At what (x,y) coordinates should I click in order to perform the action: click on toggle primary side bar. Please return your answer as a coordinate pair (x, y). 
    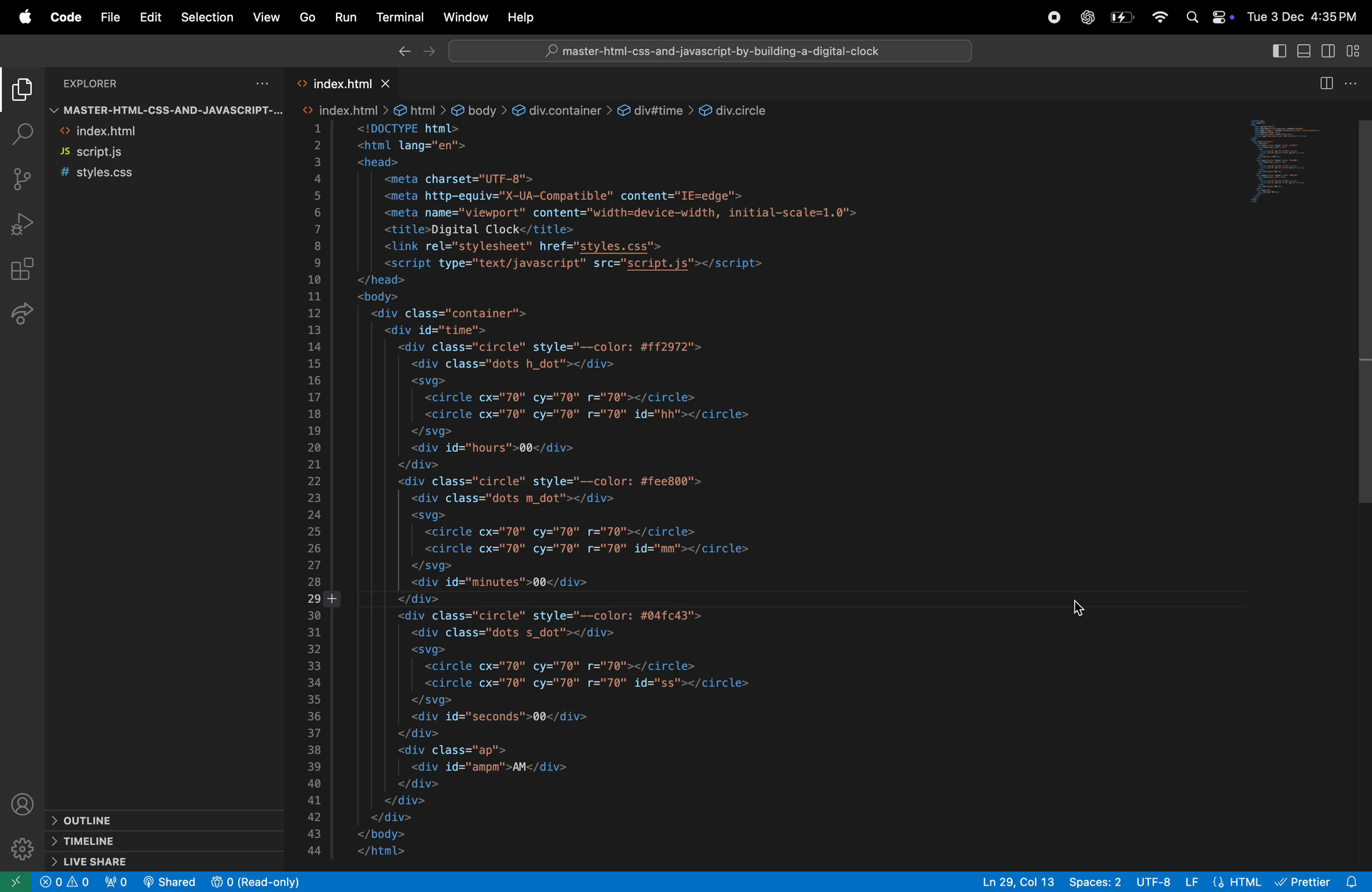
    Looking at the image, I should click on (1272, 51).